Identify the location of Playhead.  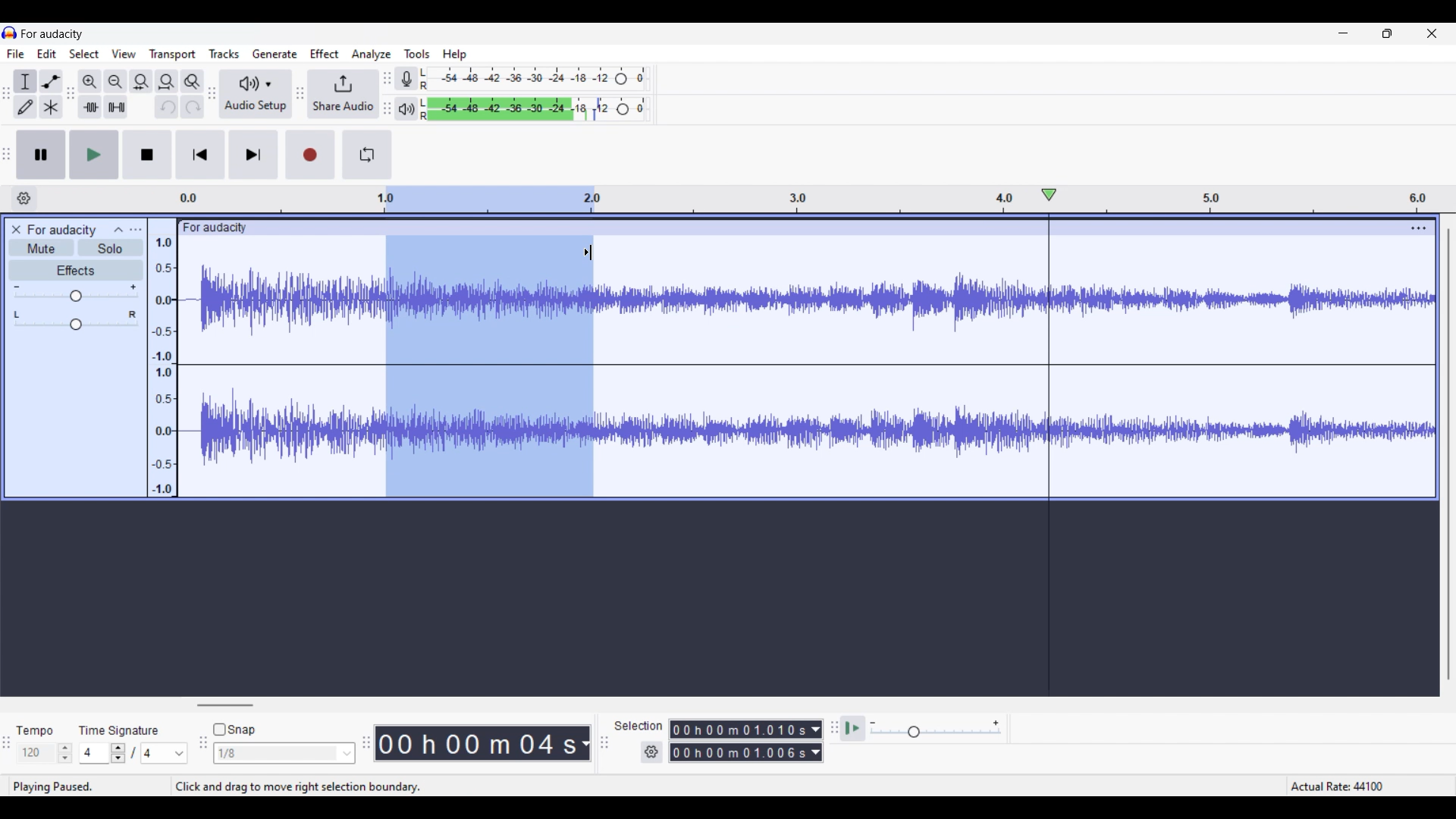
(1050, 441).